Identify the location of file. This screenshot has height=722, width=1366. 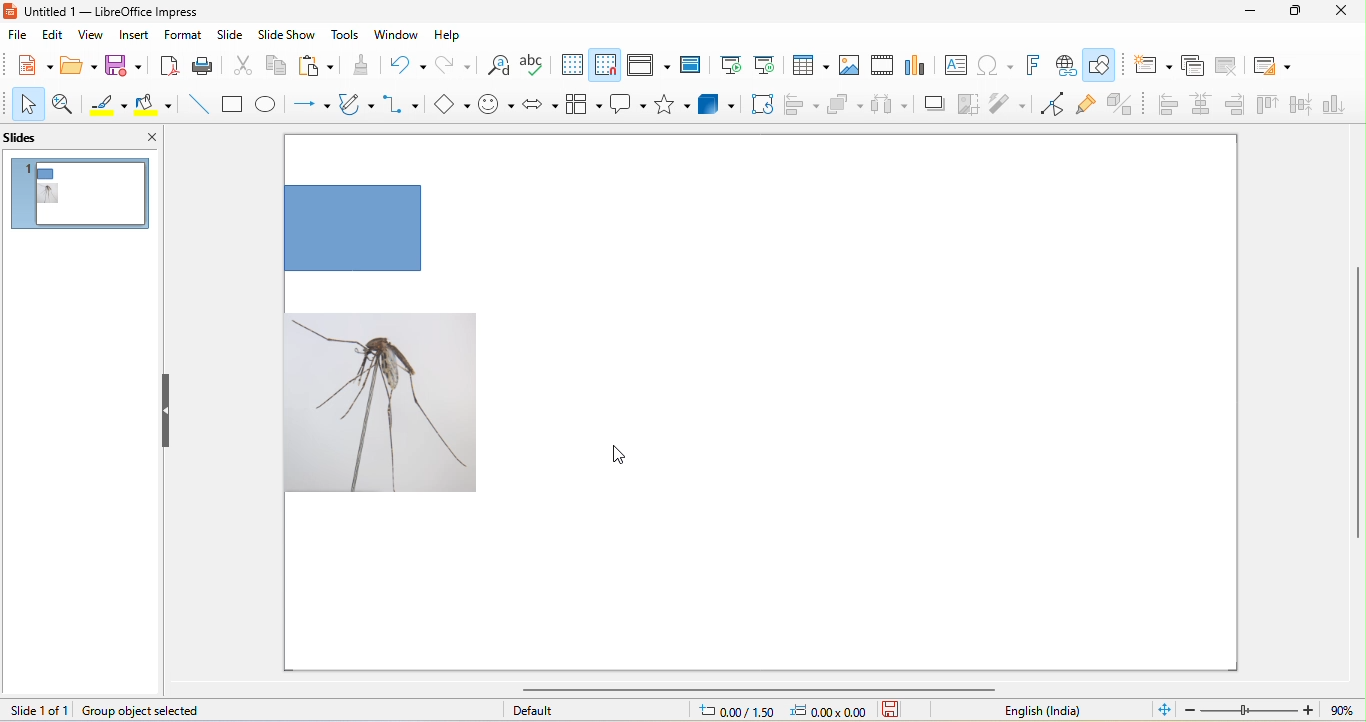
(17, 36).